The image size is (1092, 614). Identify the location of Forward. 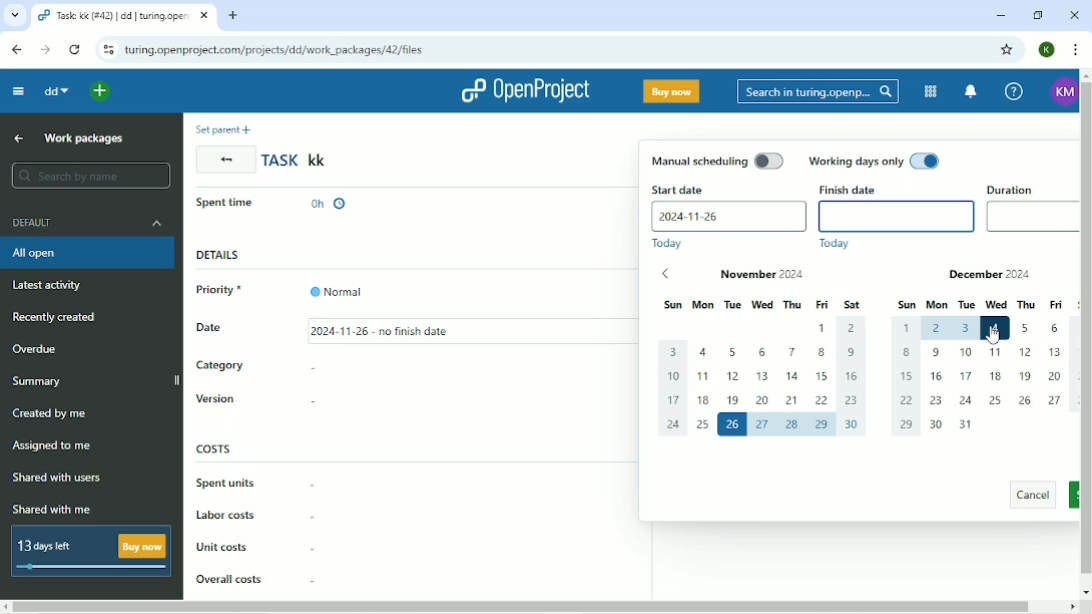
(46, 49).